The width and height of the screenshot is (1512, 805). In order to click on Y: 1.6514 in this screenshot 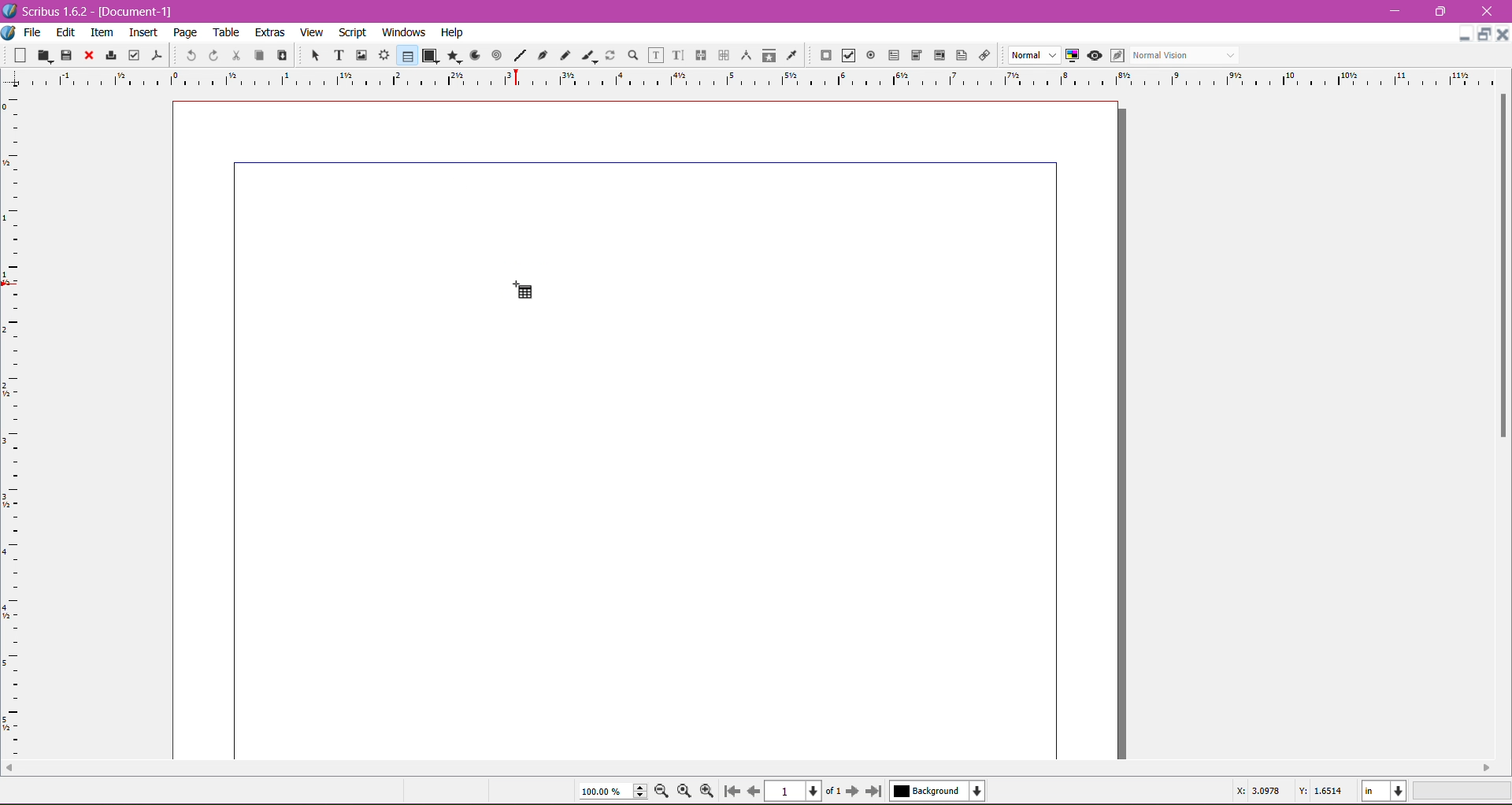, I will do `click(1321, 793)`.